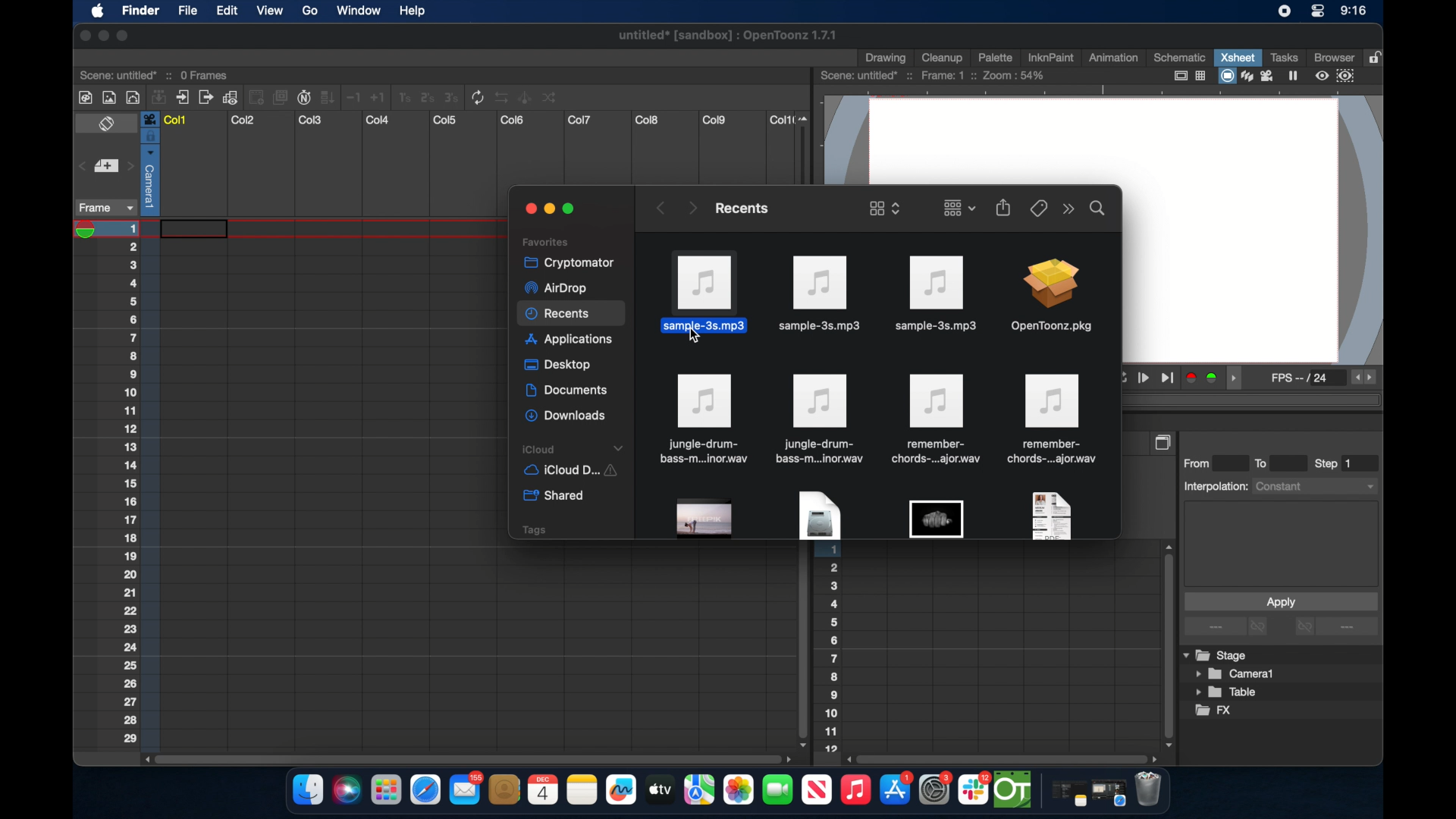  Describe the element at coordinates (568, 391) in the screenshot. I see `documents` at that location.